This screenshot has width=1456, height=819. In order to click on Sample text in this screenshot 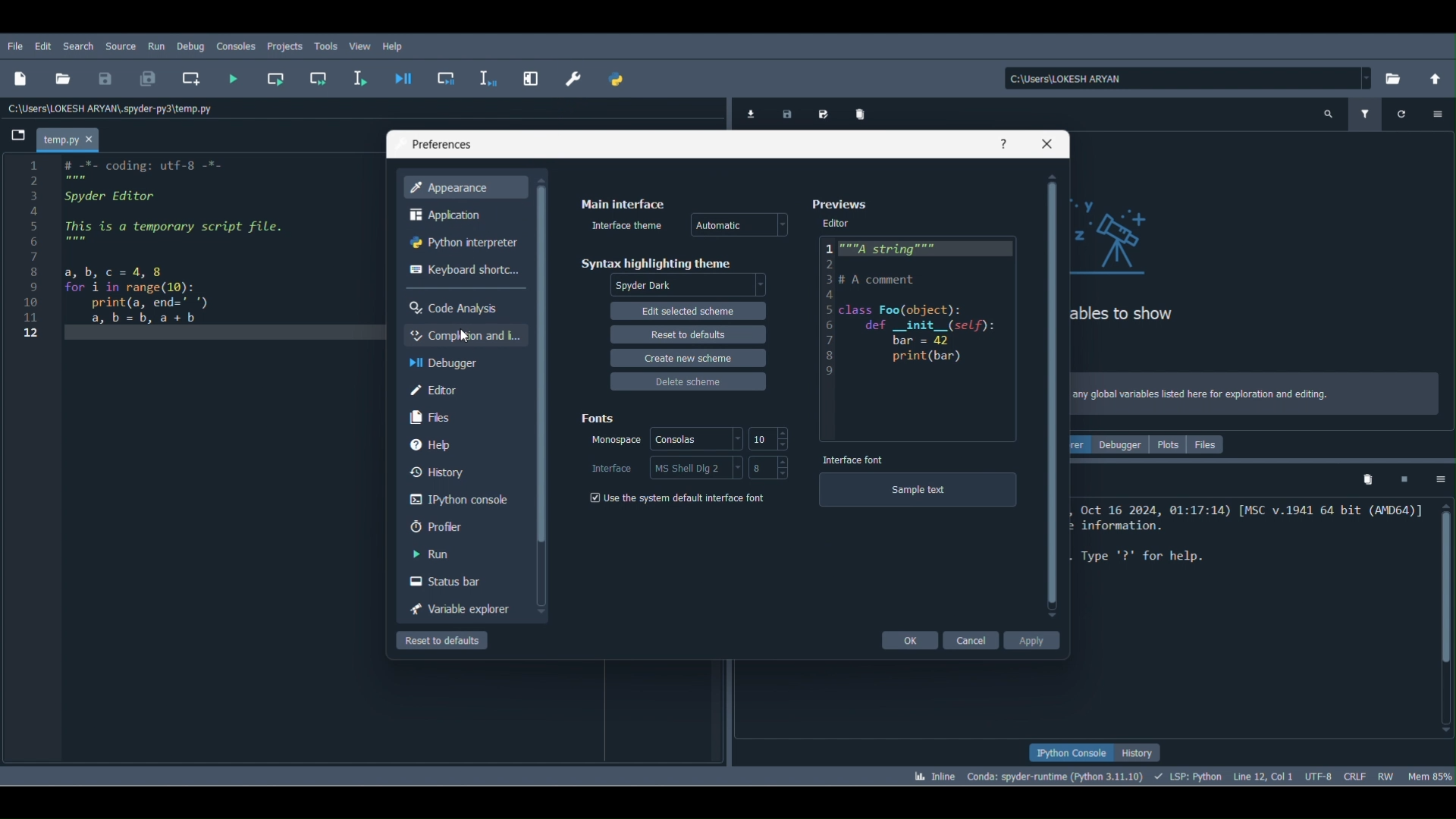, I will do `click(922, 490)`.